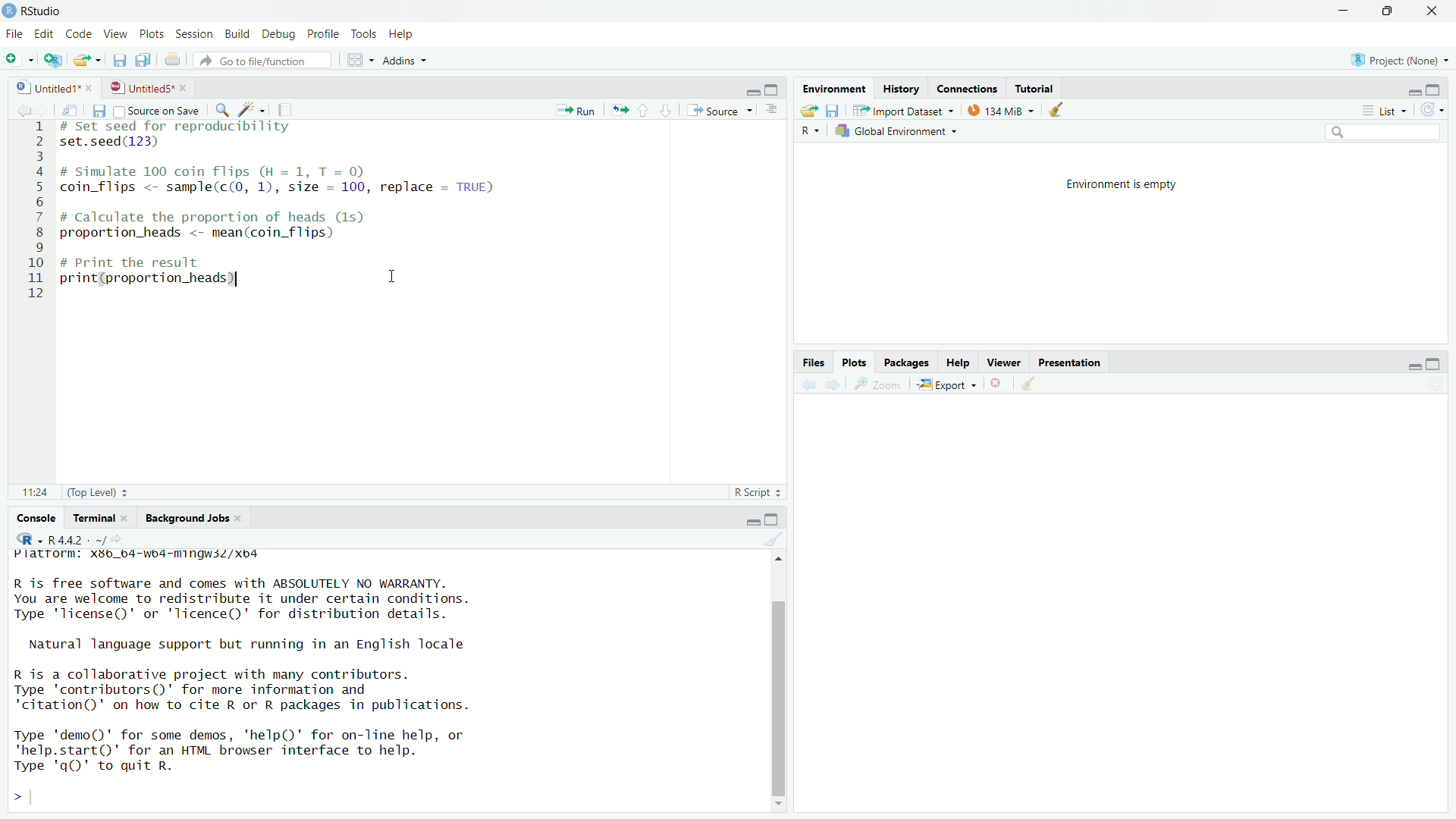 This screenshot has width=1456, height=819. Describe the element at coordinates (146, 261) in the screenshot. I see `# Print the result` at that location.